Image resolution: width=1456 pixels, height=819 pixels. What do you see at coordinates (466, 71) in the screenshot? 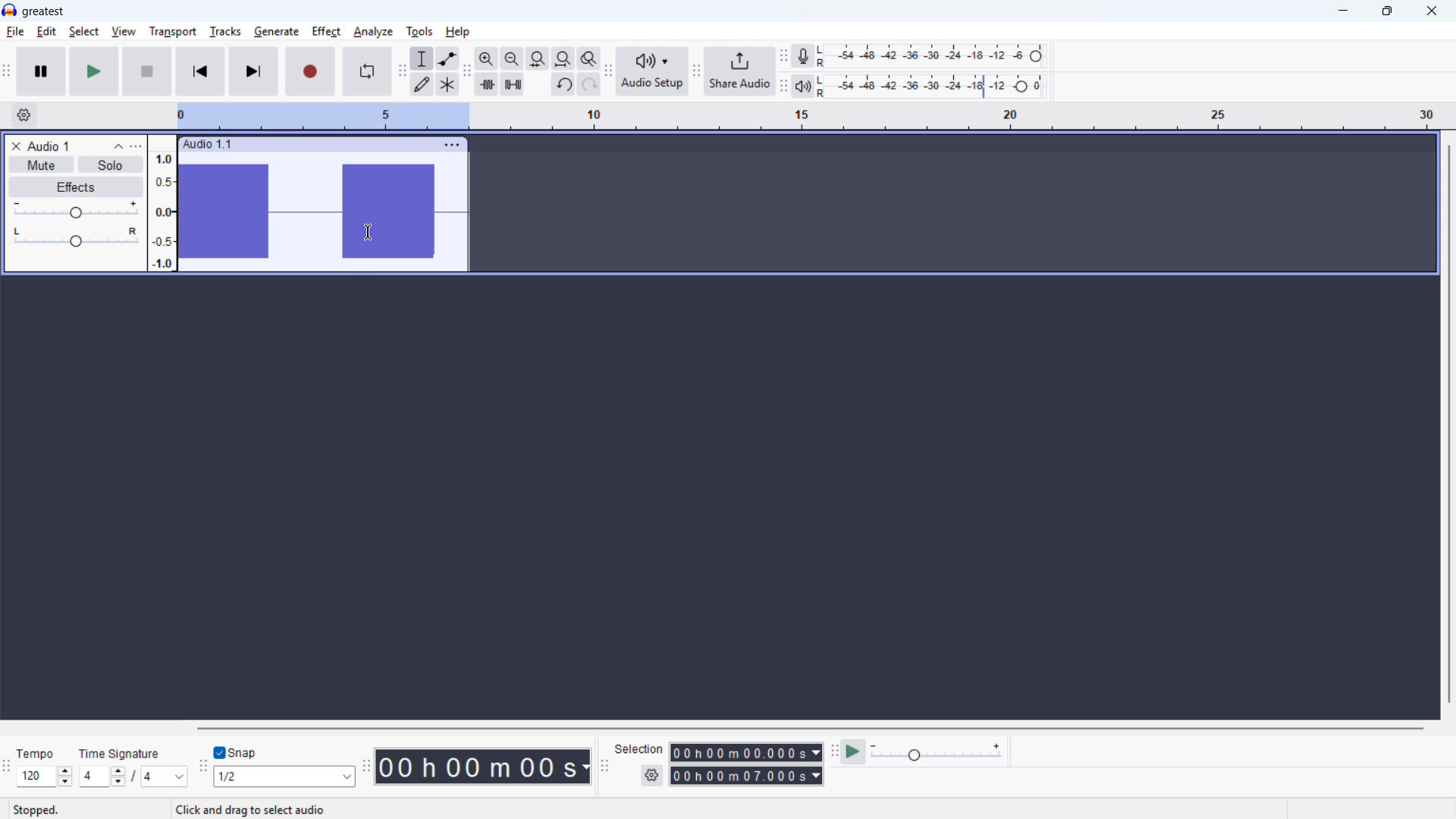
I see `Edit toolbar ` at bounding box center [466, 71].